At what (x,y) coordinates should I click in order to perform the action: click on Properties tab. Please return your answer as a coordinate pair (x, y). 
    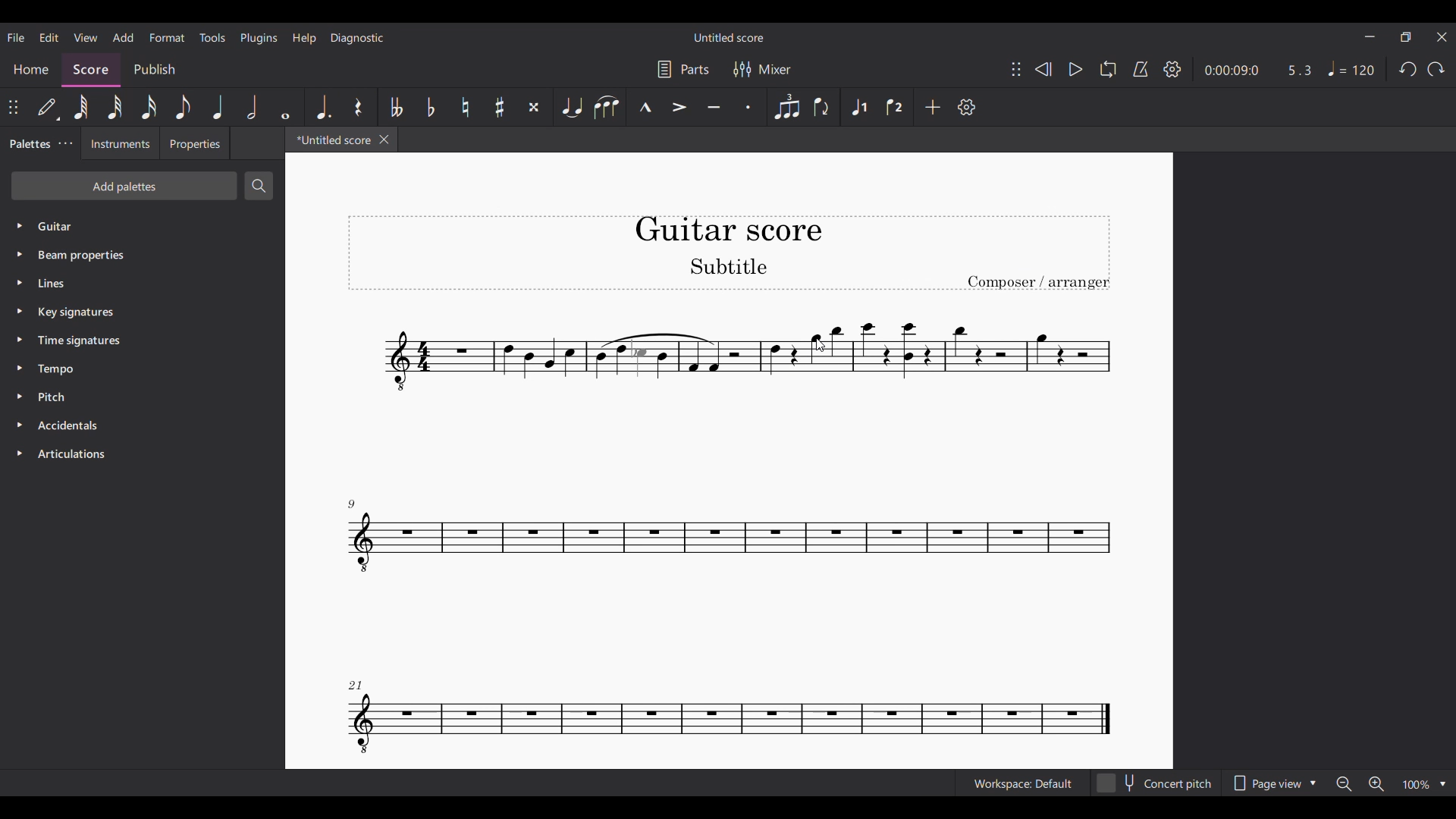
    Looking at the image, I should click on (195, 143).